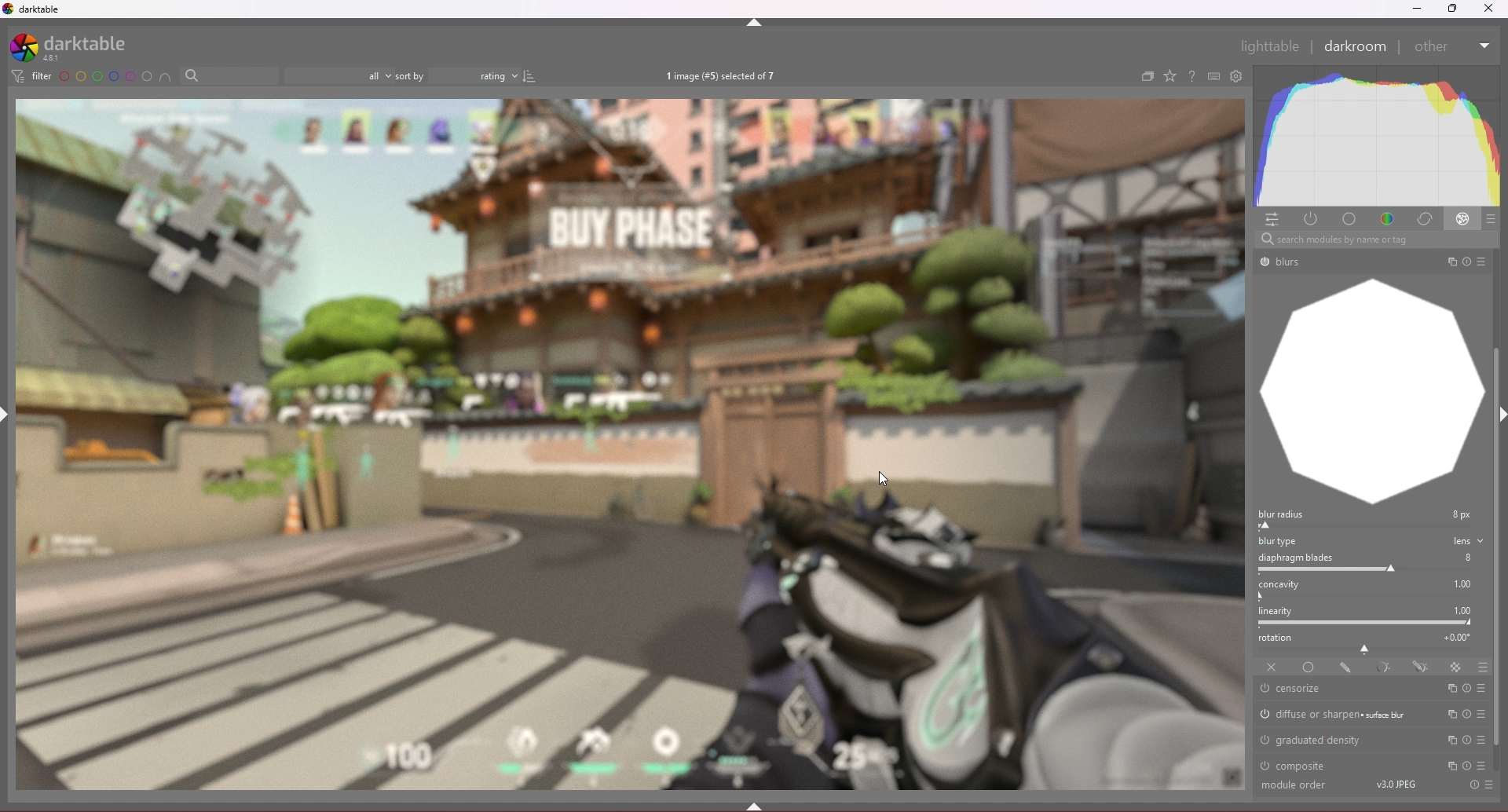  Describe the element at coordinates (1473, 785) in the screenshot. I see `` at that location.